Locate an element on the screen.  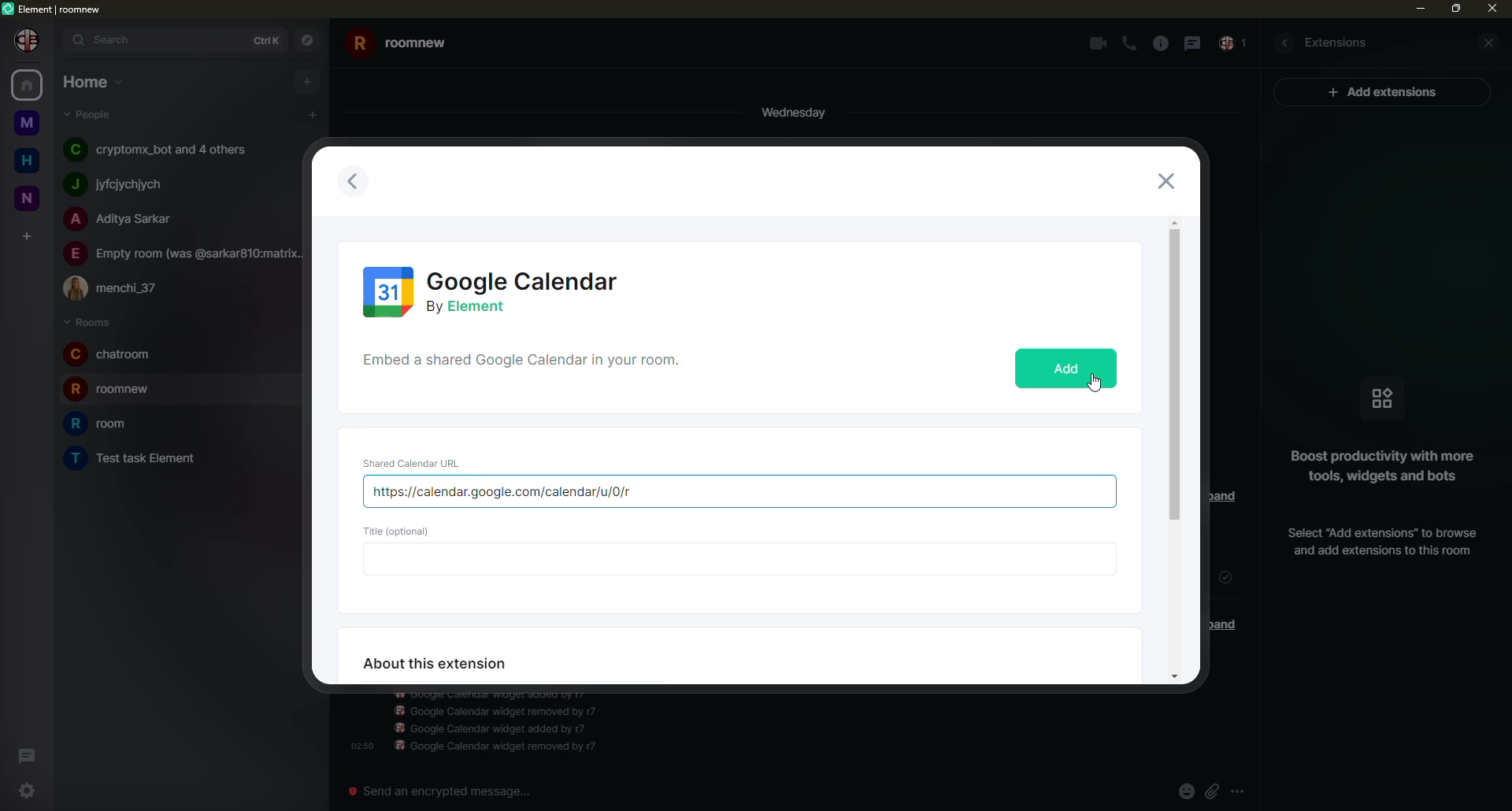
info is located at coordinates (1377, 467).